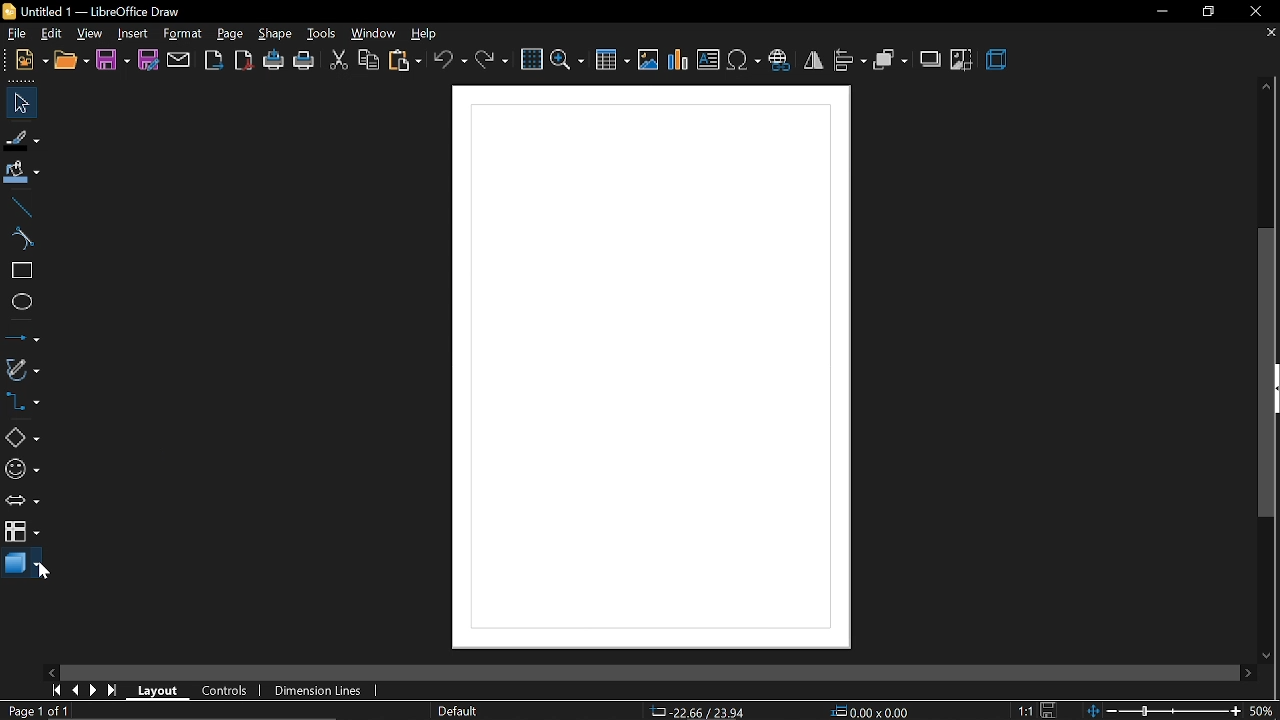 This screenshot has height=720, width=1280. What do you see at coordinates (708, 60) in the screenshot?
I see `insert text` at bounding box center [708, 60].